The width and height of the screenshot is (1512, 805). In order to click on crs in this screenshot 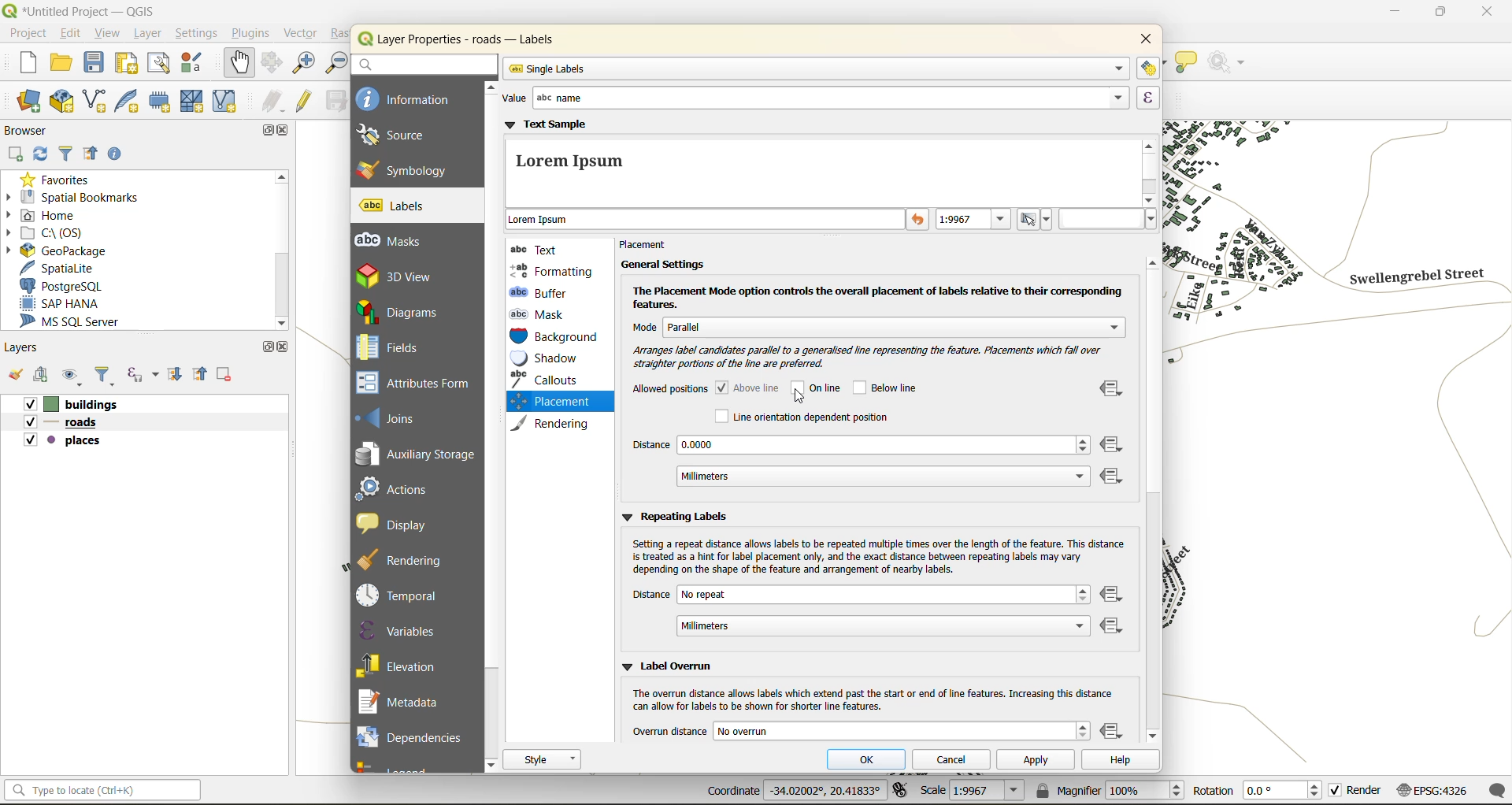, I will do `click(1431, 787)`.